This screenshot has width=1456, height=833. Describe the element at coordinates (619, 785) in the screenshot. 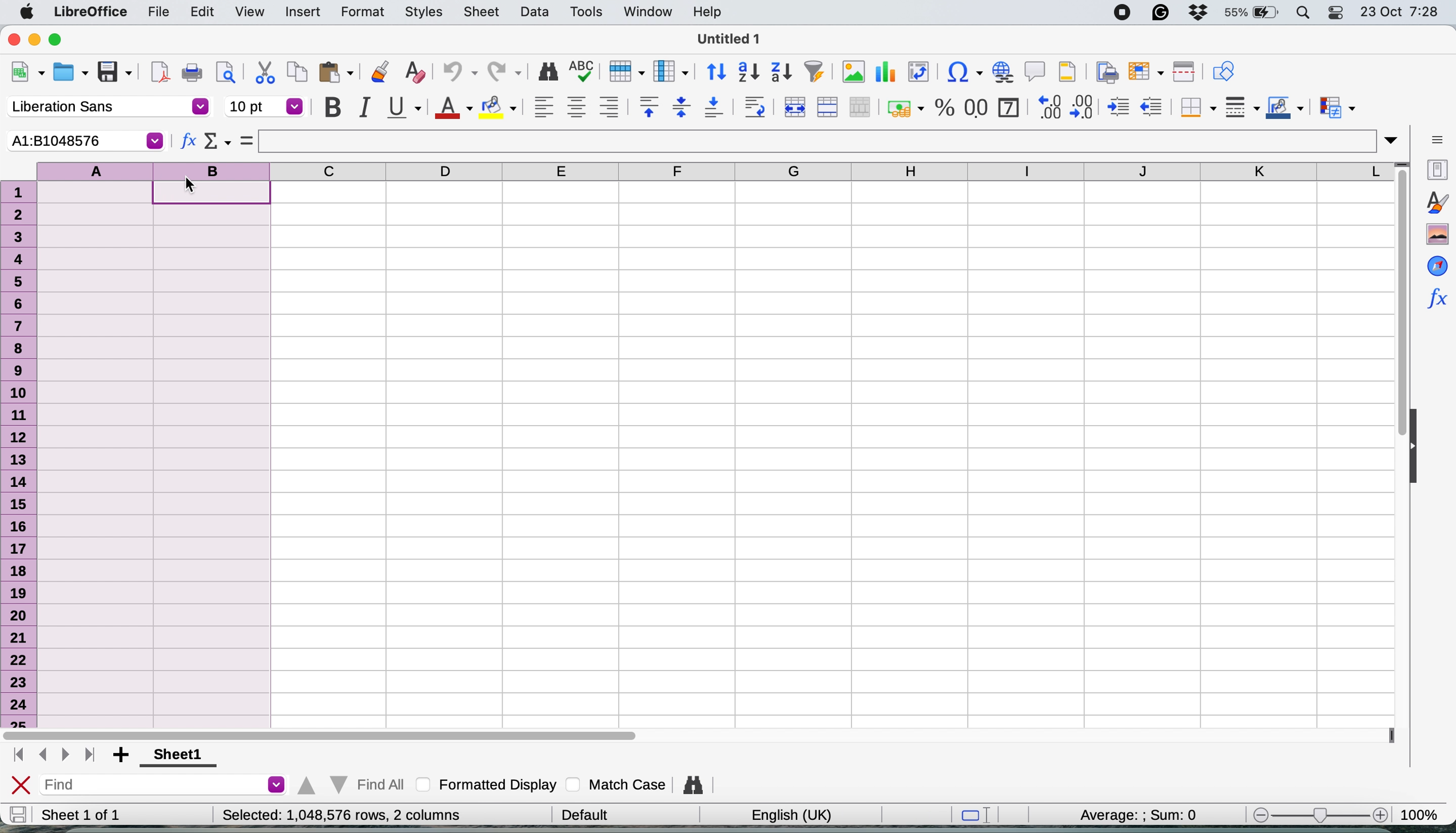

I see `match case` at that location.